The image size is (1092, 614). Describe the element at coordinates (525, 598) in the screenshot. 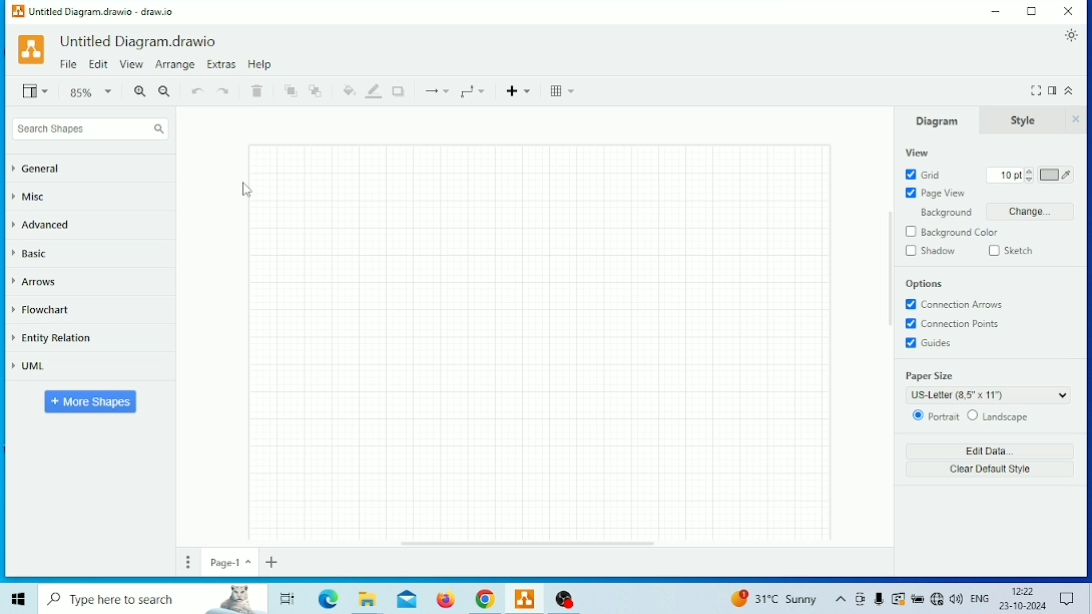

I see `Draw.io` at that location.